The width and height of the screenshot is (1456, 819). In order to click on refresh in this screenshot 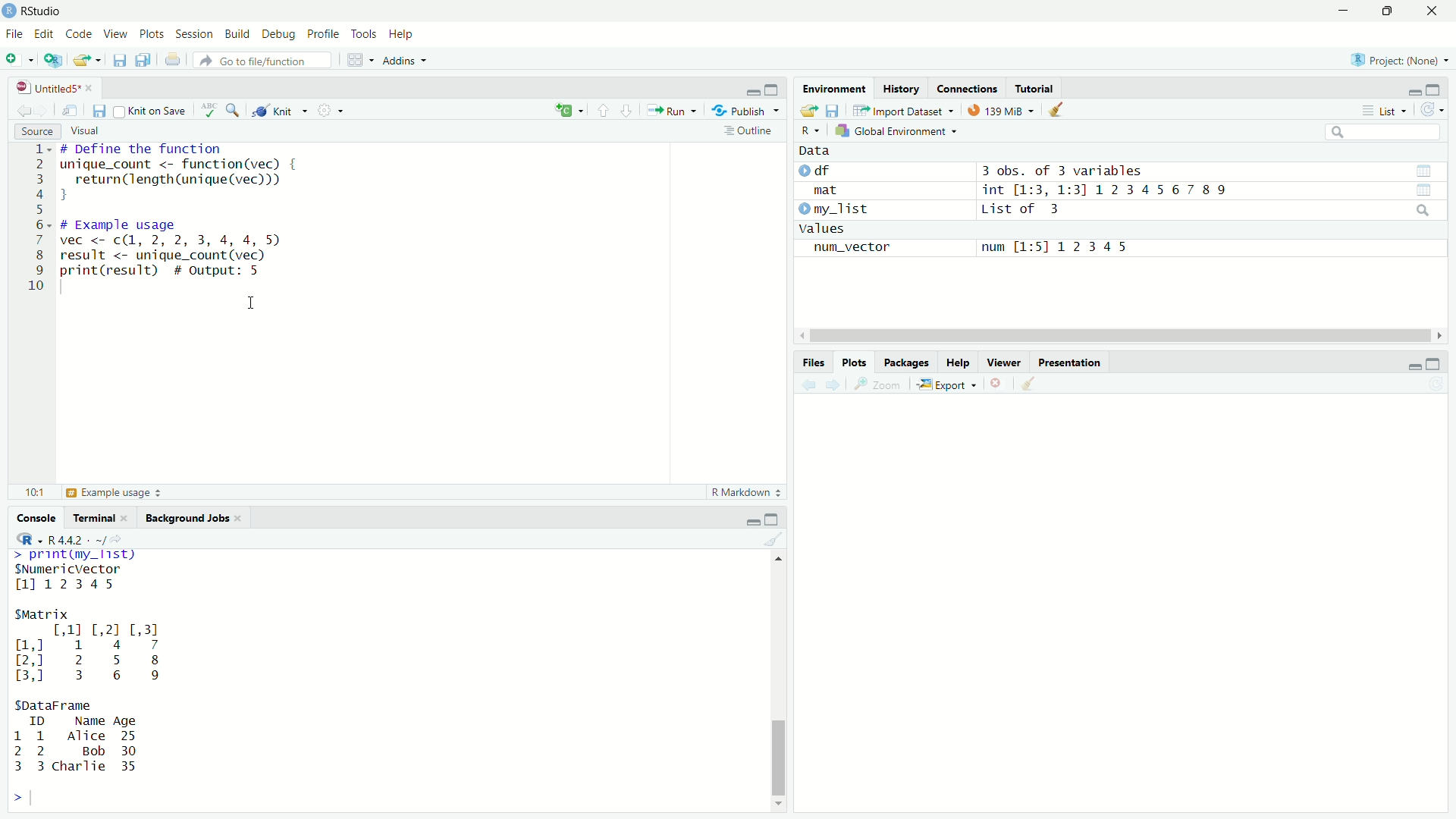, I will do `click(1432, 111)`.